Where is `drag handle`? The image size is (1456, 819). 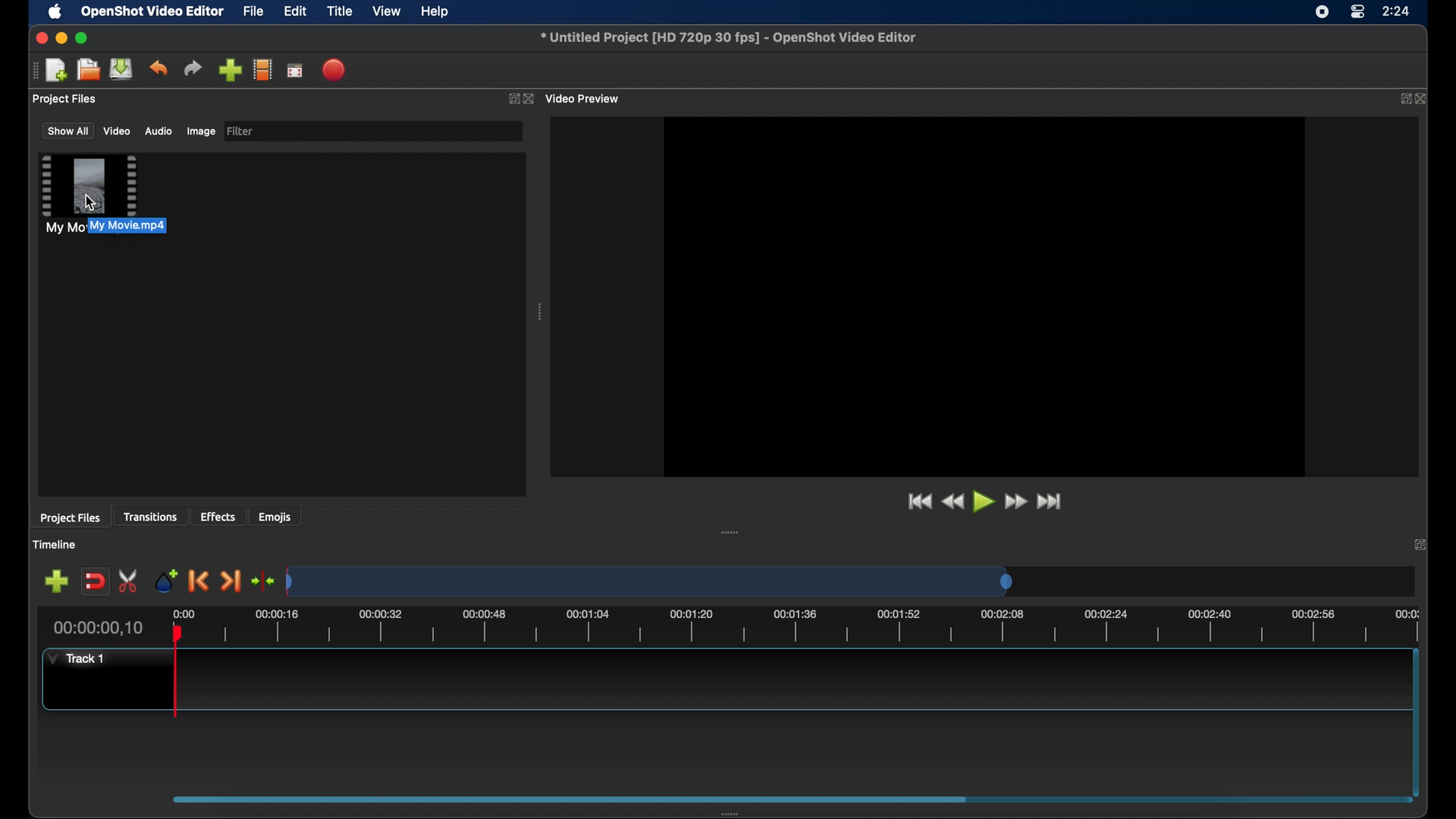
drag handle is located at coordinates (731, 532).